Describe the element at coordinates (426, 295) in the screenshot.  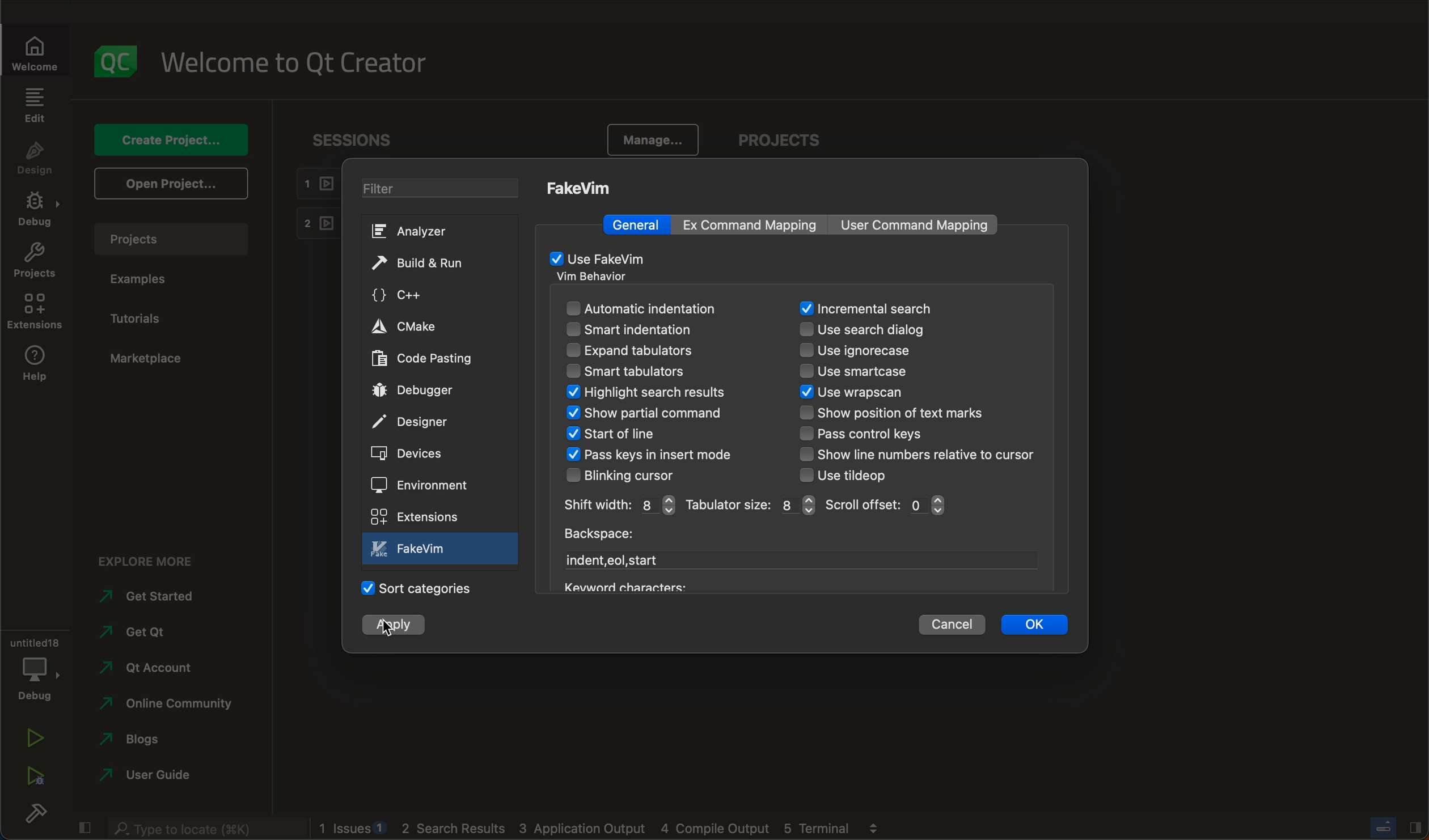
I see `c++` at that location.